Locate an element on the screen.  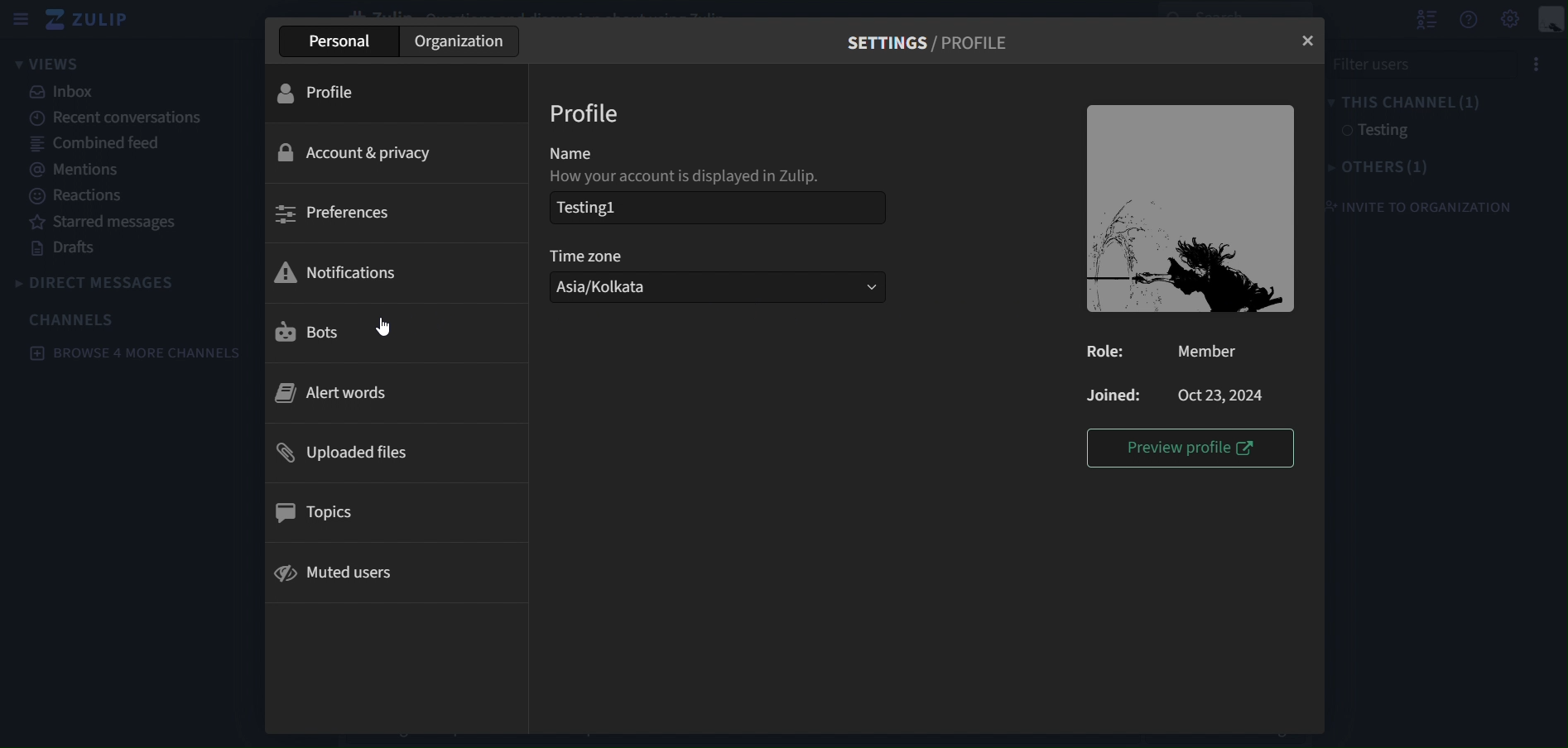
reactions is located at coordinates (79, 196).